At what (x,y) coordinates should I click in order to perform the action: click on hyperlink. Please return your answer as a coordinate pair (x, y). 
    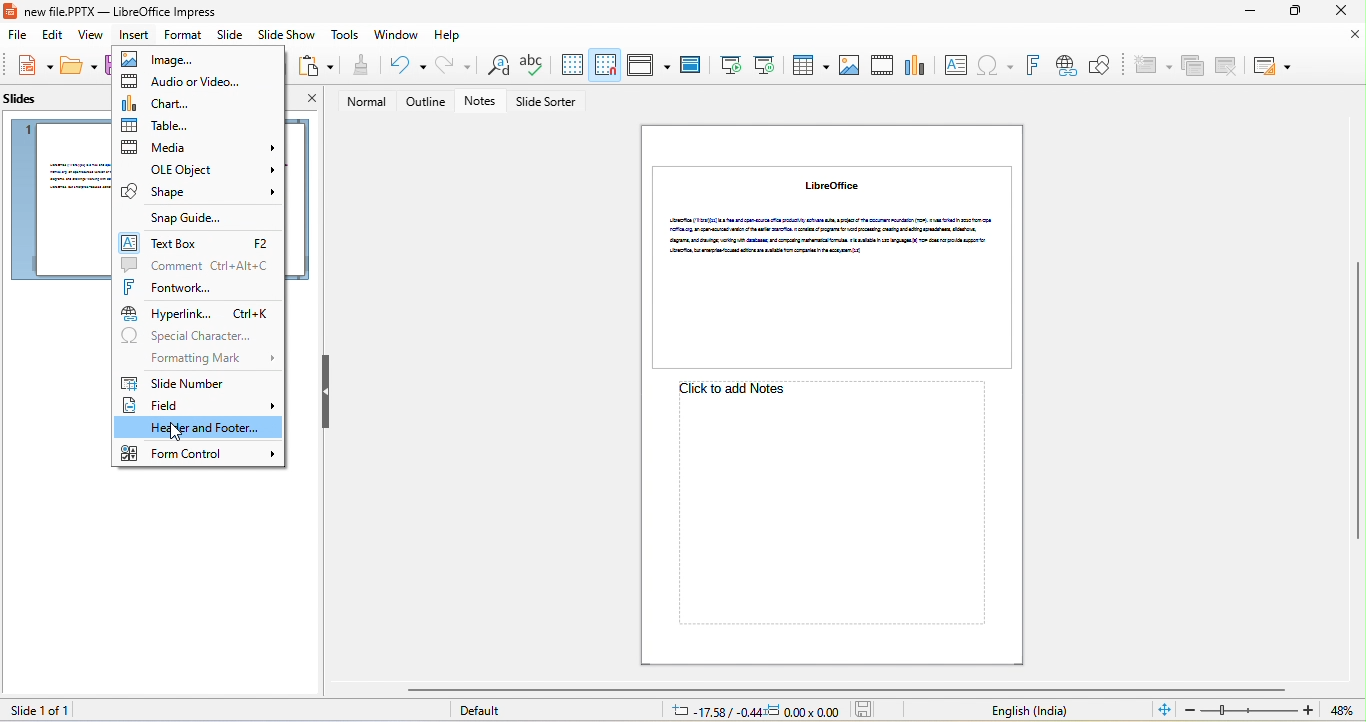
    Looking at the image, I should click on (1065, 66).